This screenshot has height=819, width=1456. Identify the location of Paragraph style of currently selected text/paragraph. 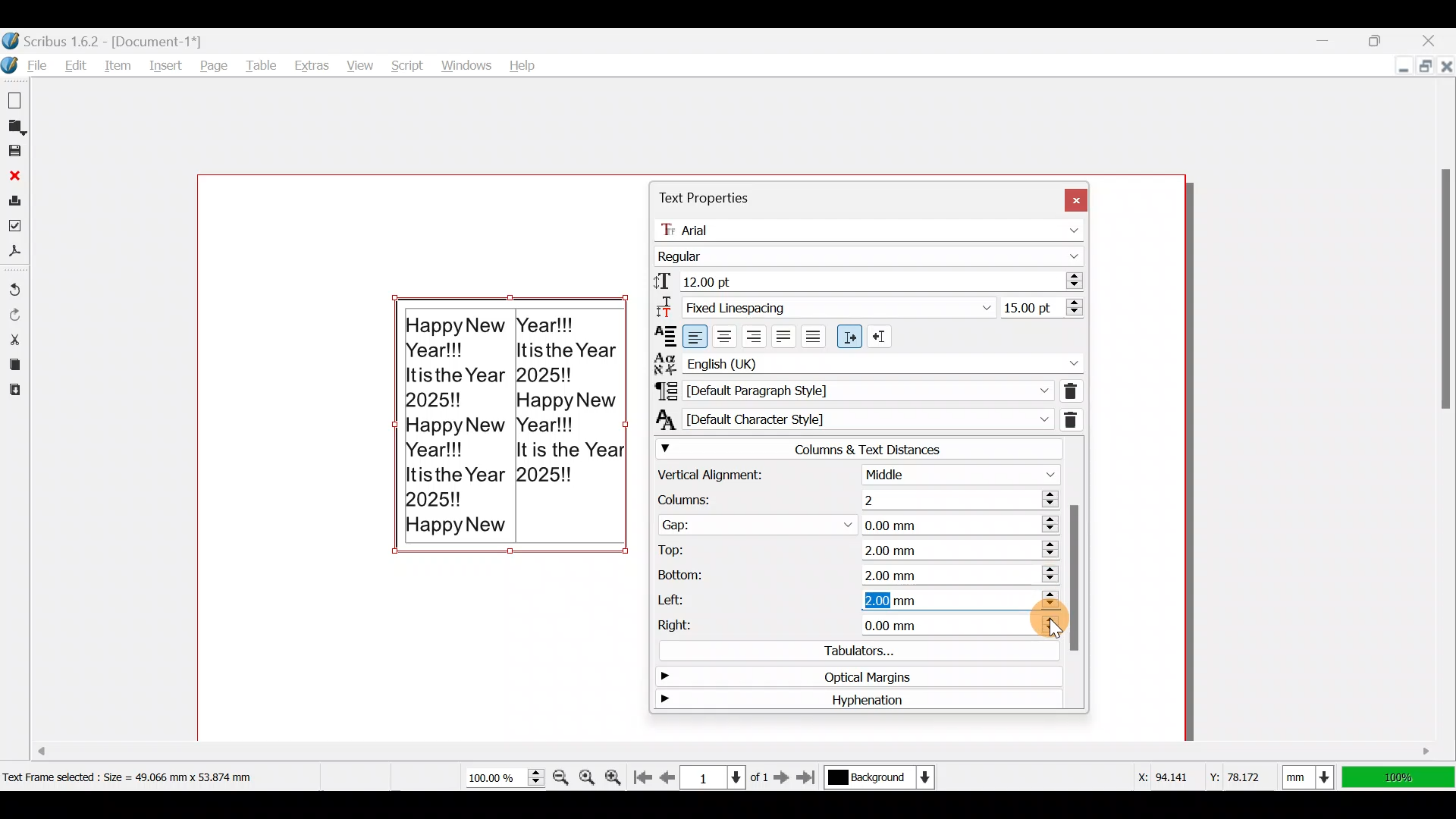
(850, 390).